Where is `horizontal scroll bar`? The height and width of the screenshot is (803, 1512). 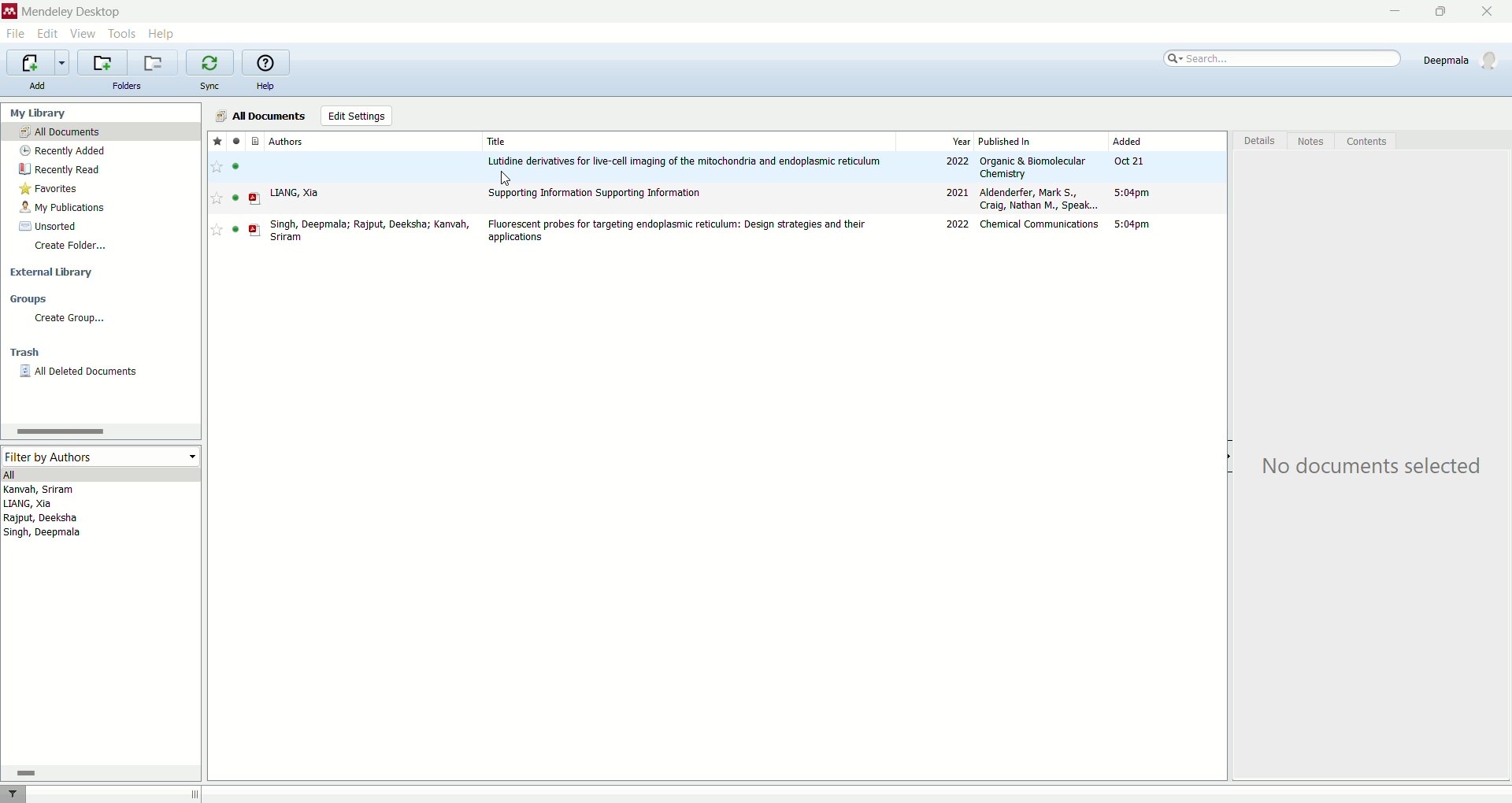 horizontal scroll bar is located at coordinates (102, 773).